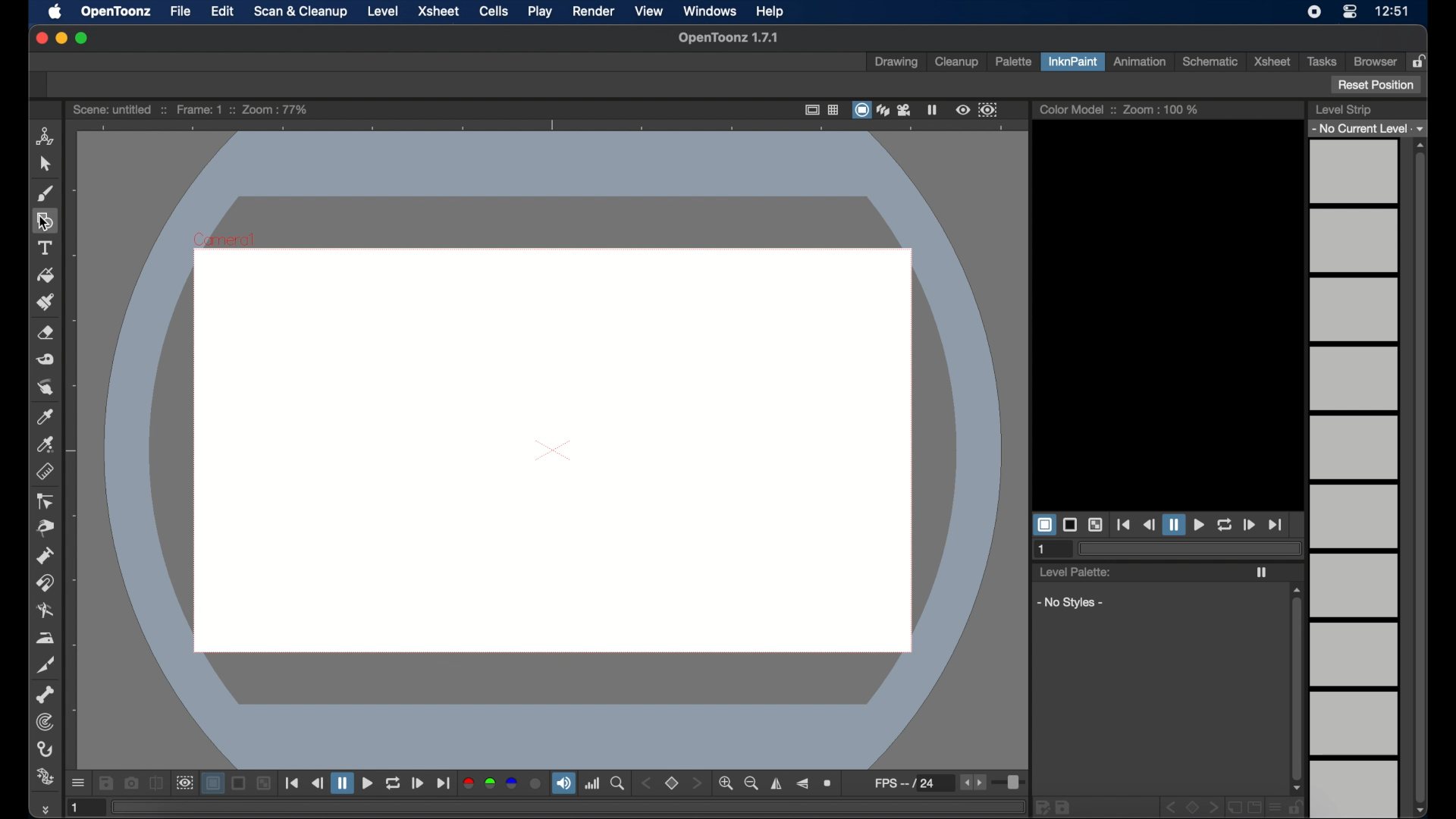 This screenshot has width=1456, height=819. Describe the element at coordinates (45, 276) in the screenshot. I see `fill tool` at that location.